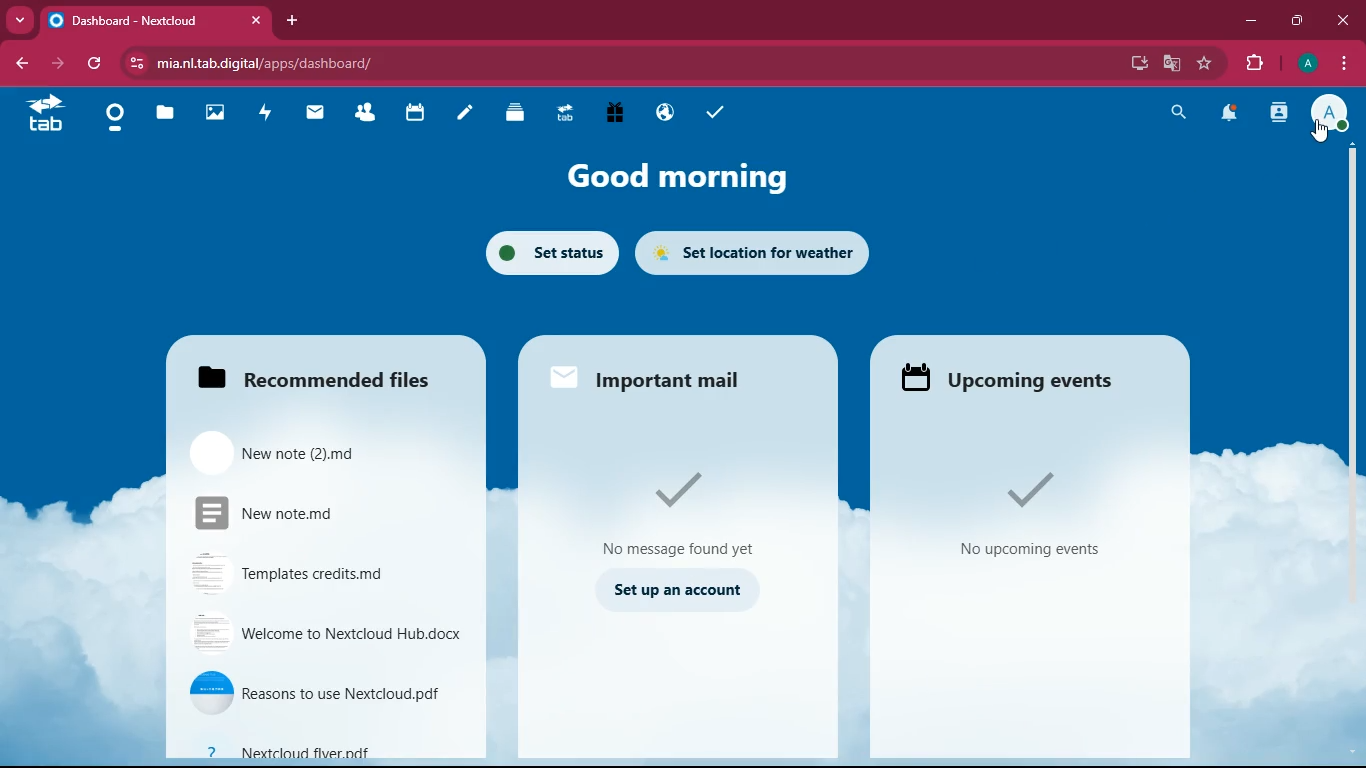 The height and width of the screenshot is (768, 1366). Describe the element at coordinates (1228, 116) in the screenshot. I see `notifications` at that location.